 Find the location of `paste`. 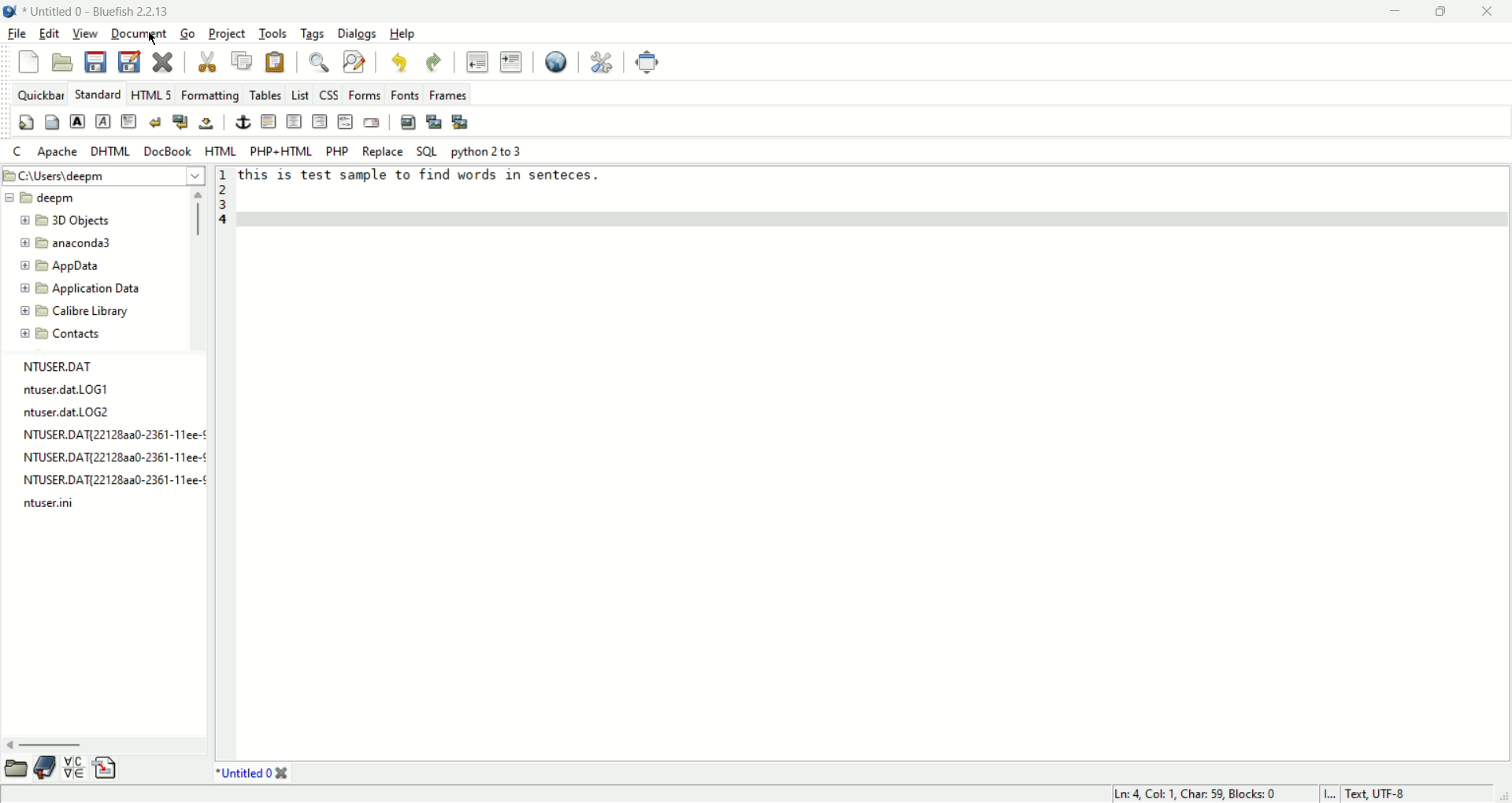

paste is located at coordinates (276, 61).